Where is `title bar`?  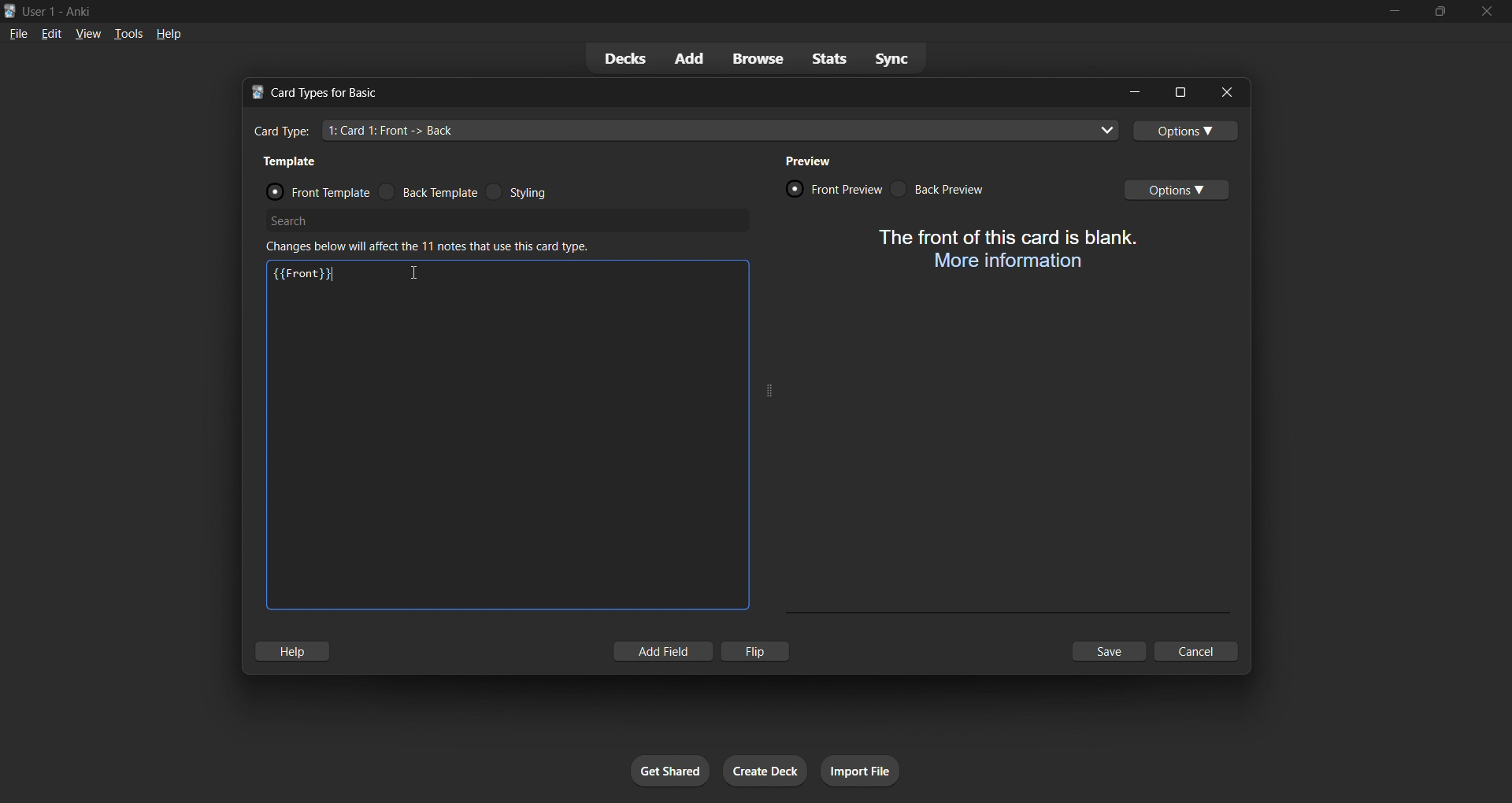 title bar is located at coordinates (661, 10).